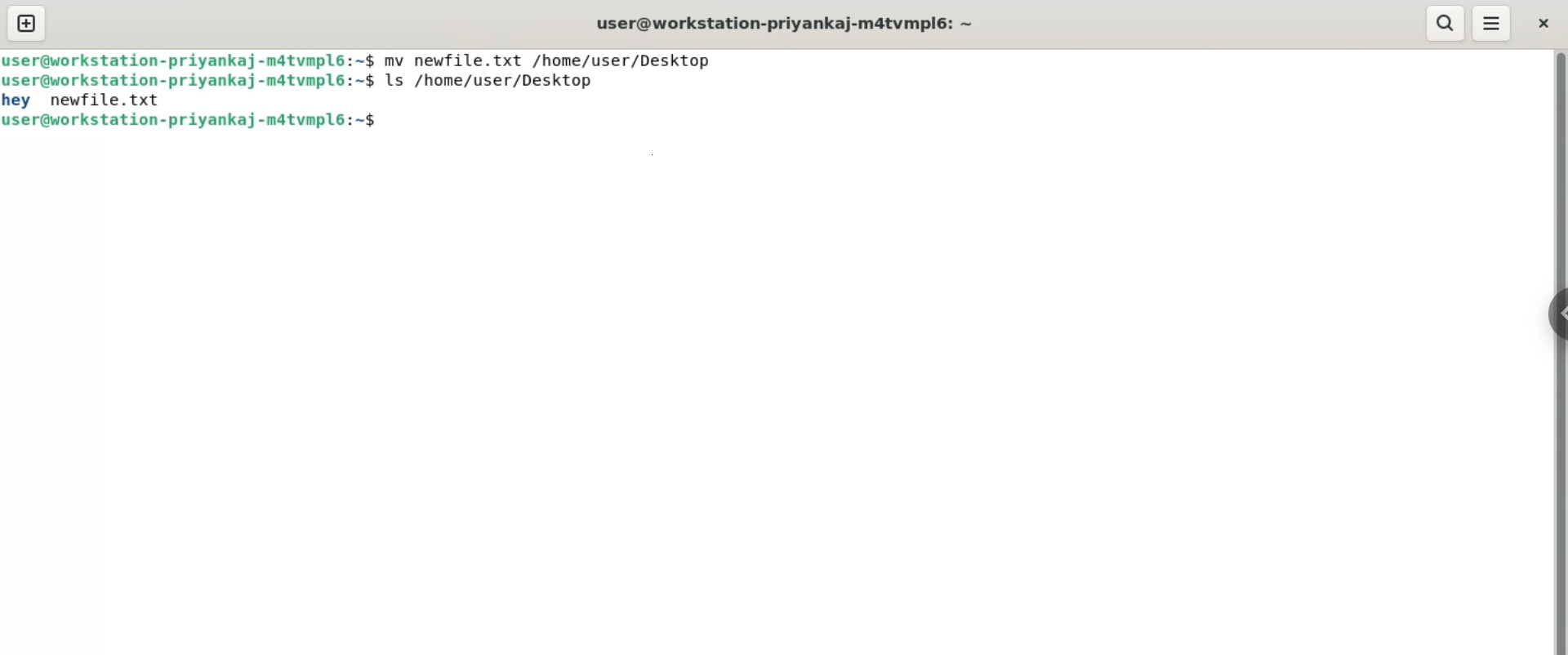 This screenshot has height=655, width=1568. I want to click on new tab, so click(25, 24).